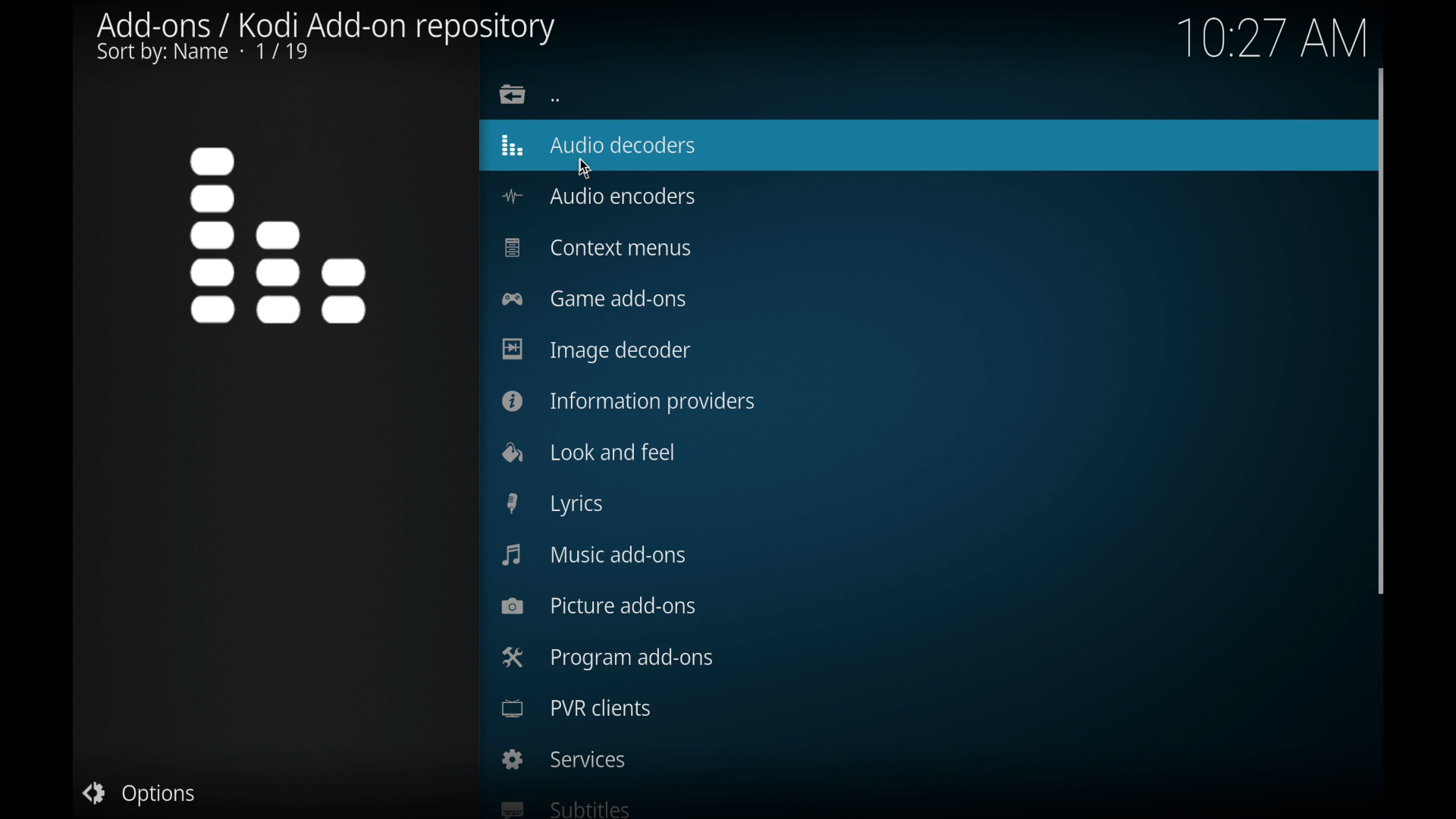  Describe the element at coordinates (596, 298) in the screenshot. I see `game add-ons` at that location.